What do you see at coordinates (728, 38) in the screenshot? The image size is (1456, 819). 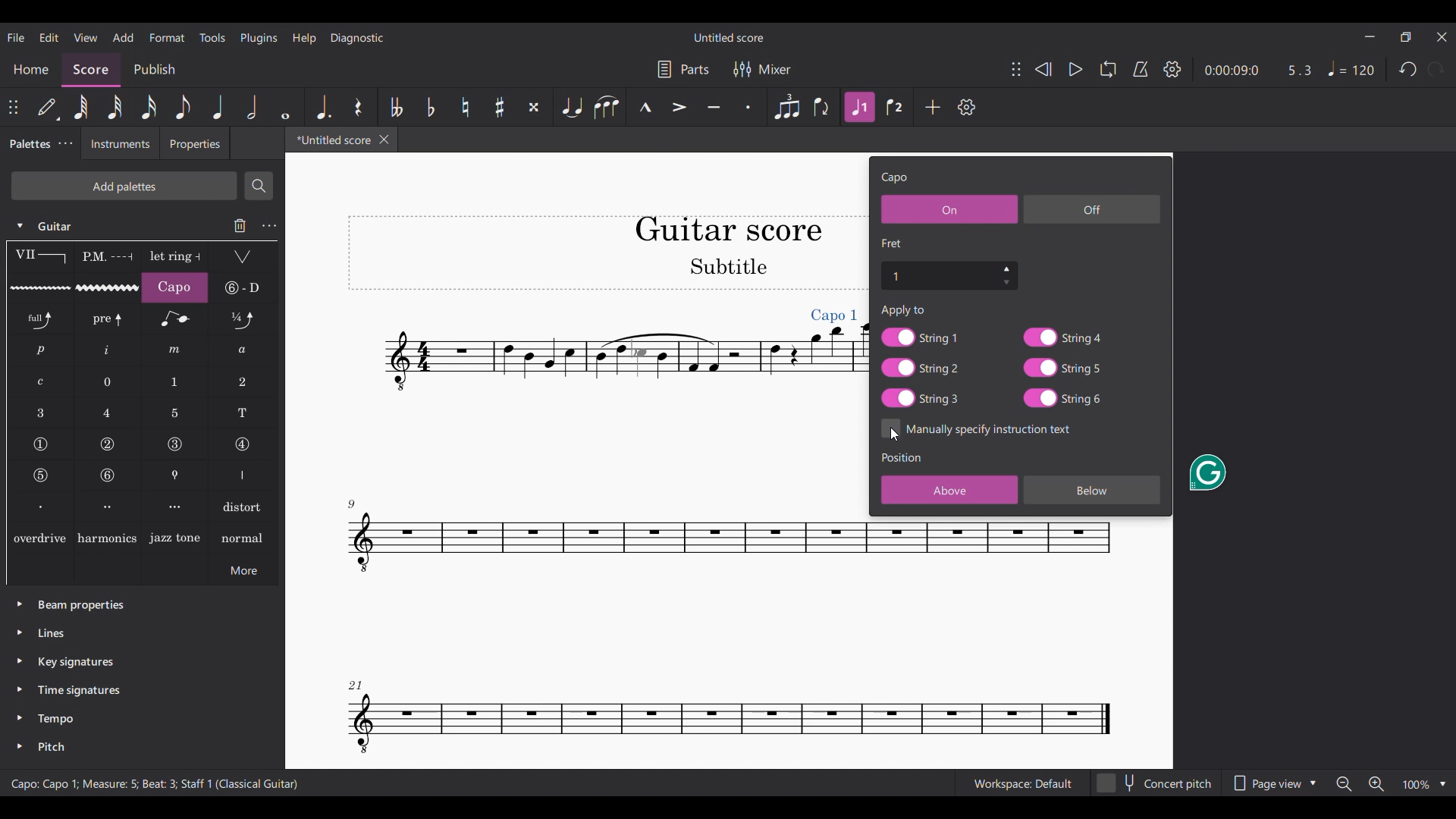 I see `Score title` at bounding box center [728, 38].